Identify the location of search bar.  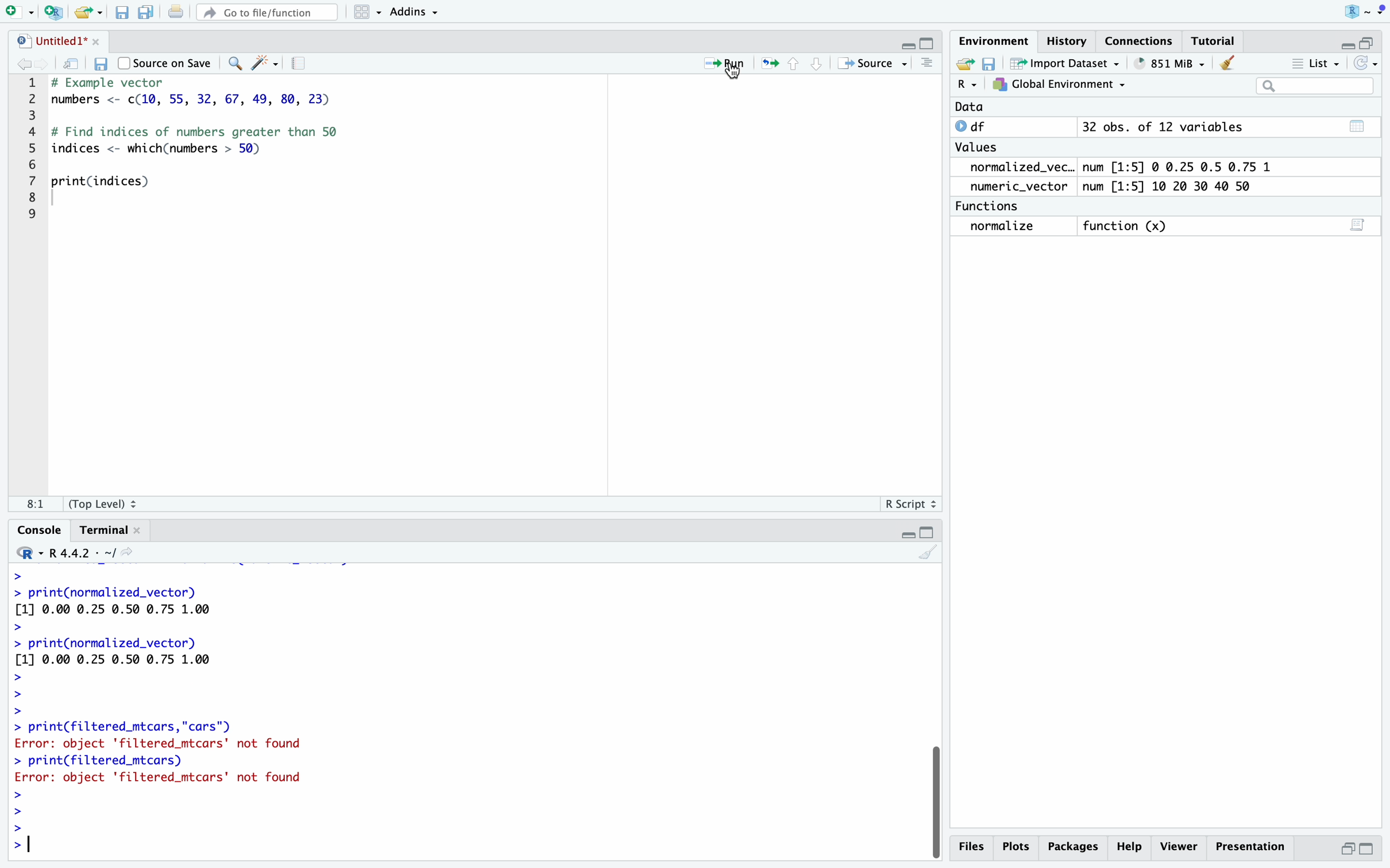
(1311, 85).